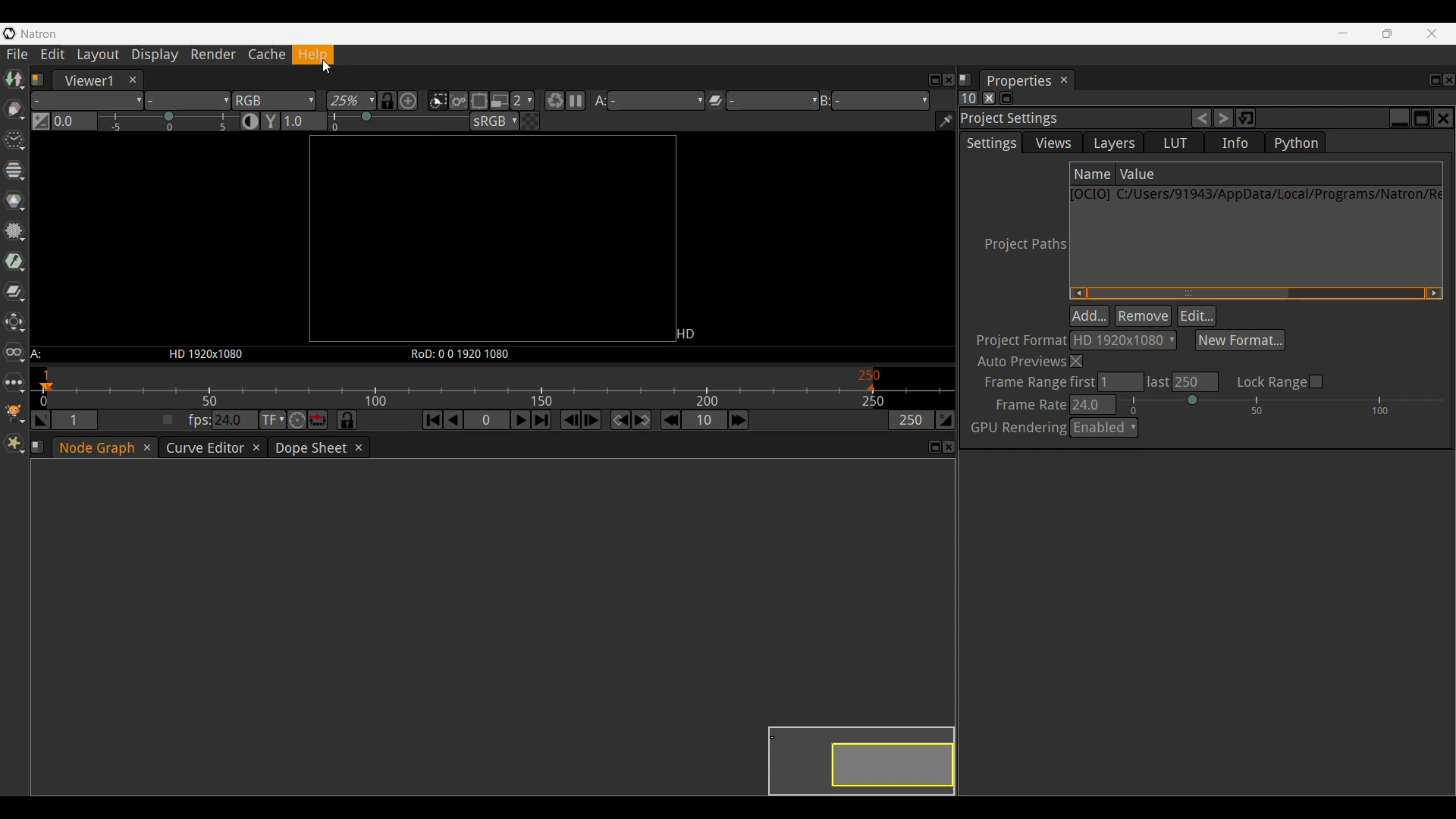 Image resolution: width=1456 pixels, height=819 pixels. Describe the element at coordinates (1092, 196) in the screenshot. I see `[OCIO]` at that location.